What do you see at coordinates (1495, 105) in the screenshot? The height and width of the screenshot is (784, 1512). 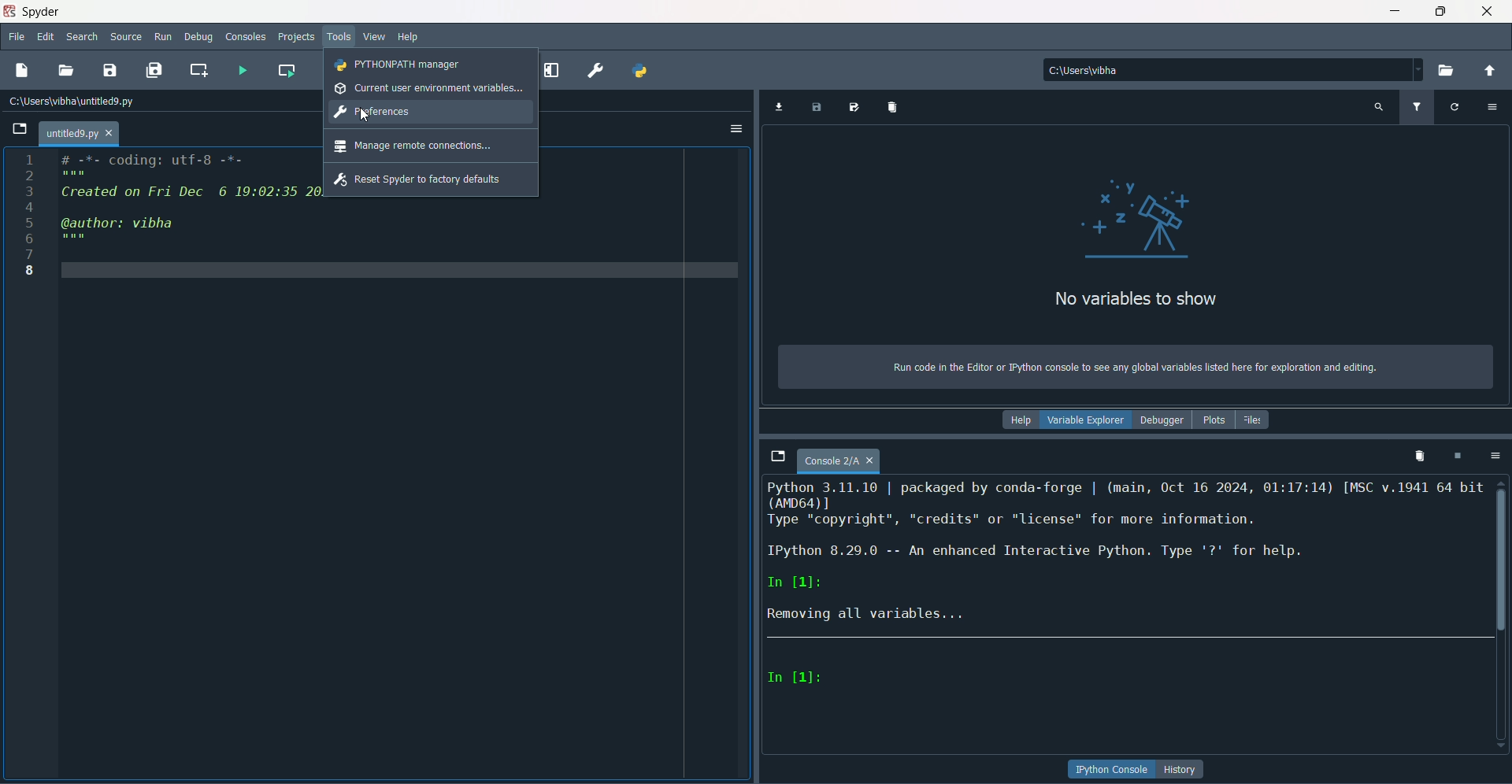 I see `options` at bounding box center [1495, 105].